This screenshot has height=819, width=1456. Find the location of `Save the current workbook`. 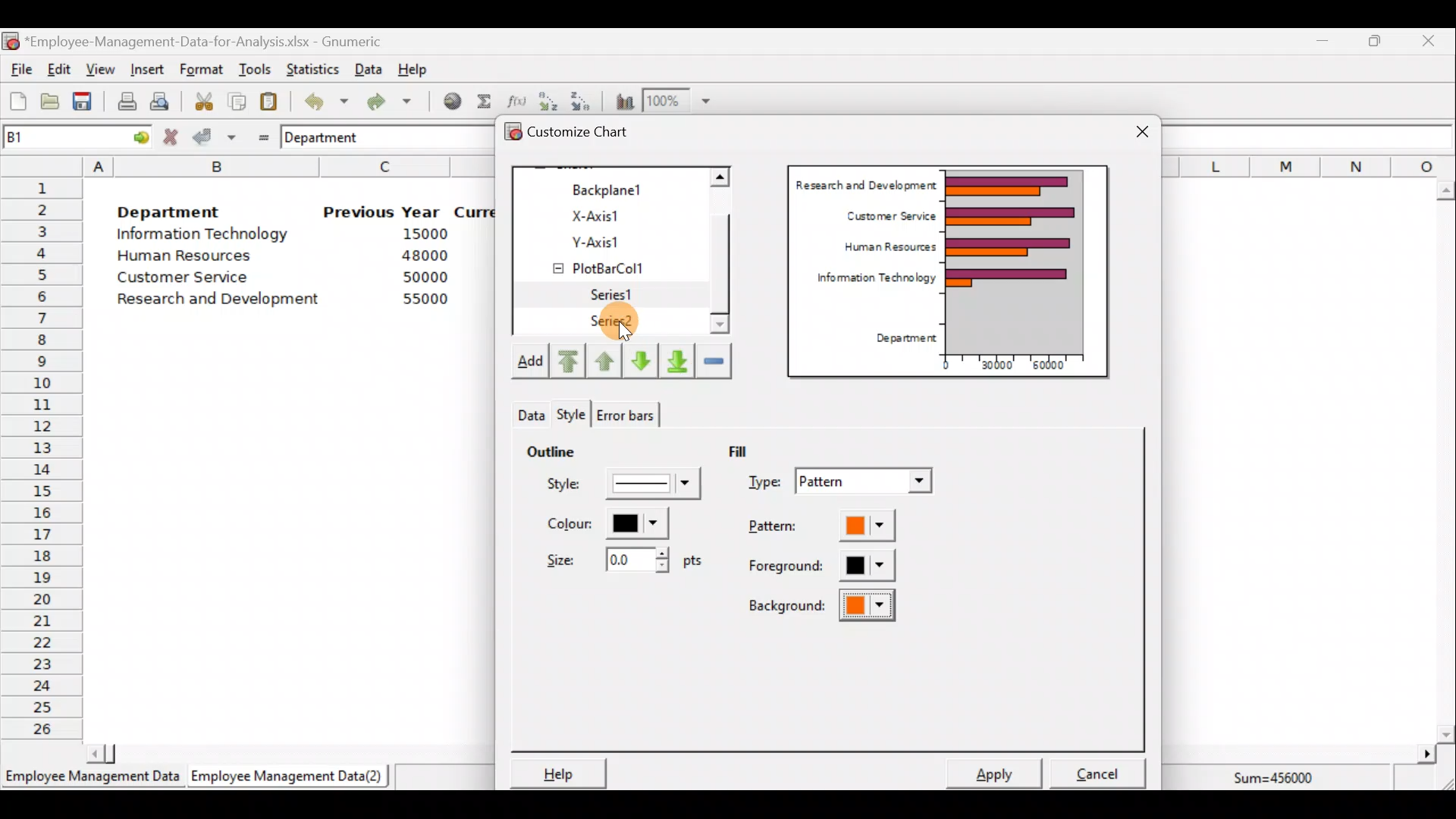

Save the current workbook is located at coordinates (87, 104).